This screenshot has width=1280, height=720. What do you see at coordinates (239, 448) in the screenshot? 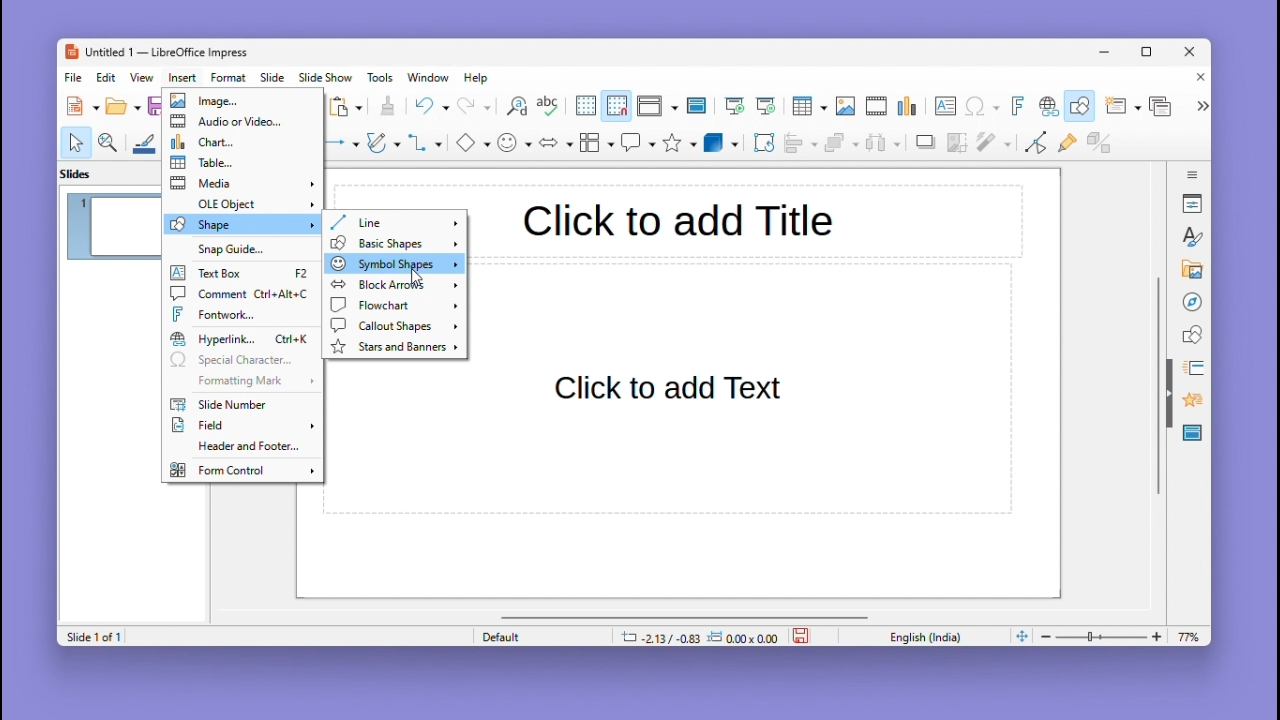
I see `Header and footer` at bounding box center [239, 448].